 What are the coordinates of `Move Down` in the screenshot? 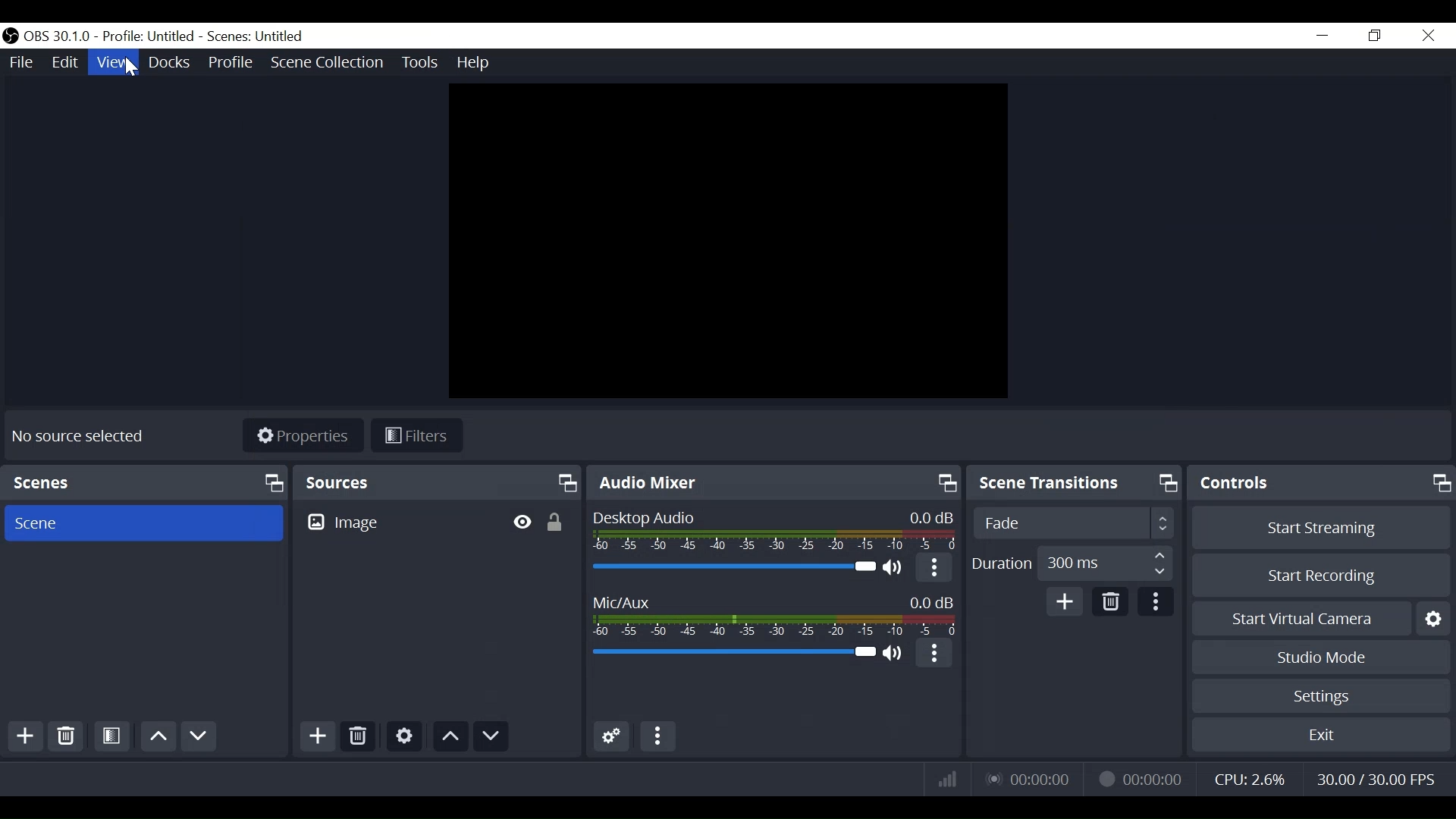 It's located at (202, 737).